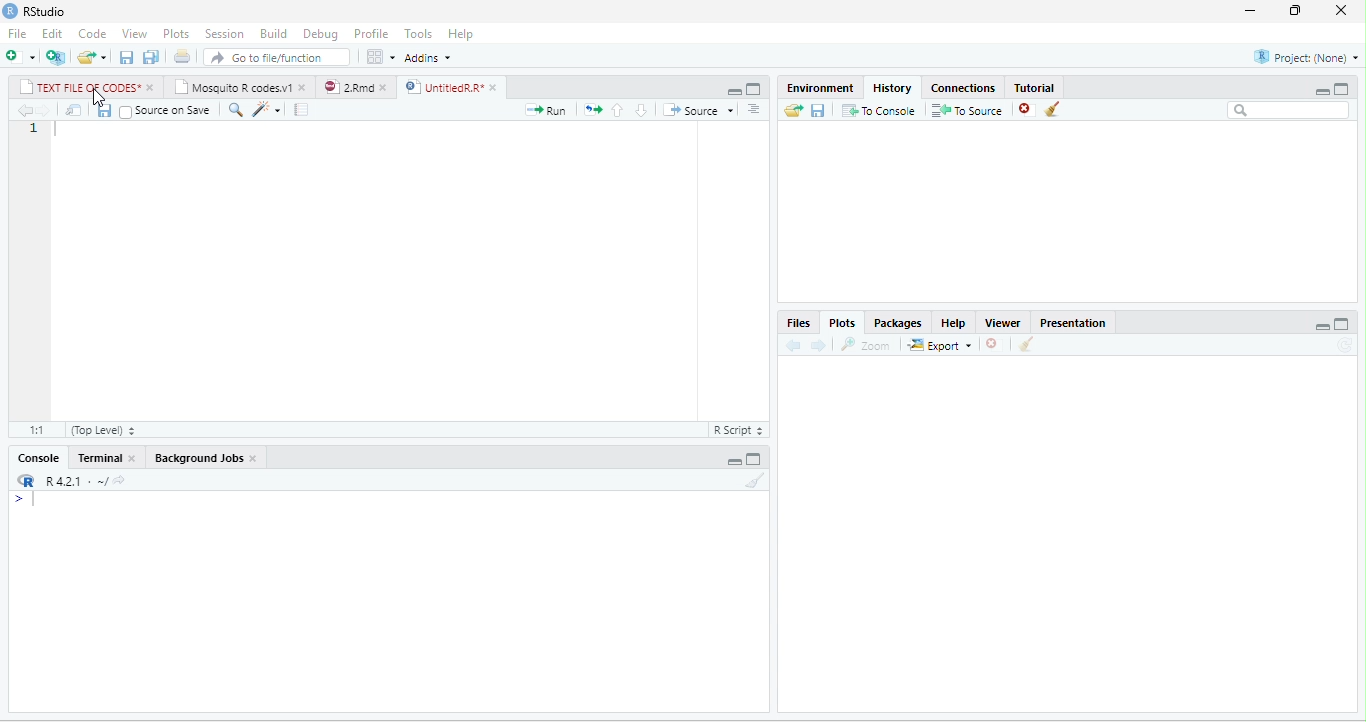 The width and height of the screenshot is (1366, 722). What do you see at coordinates (1053, 109) in the screenshot?
I see `clear` at bounding box center [1053, 109].